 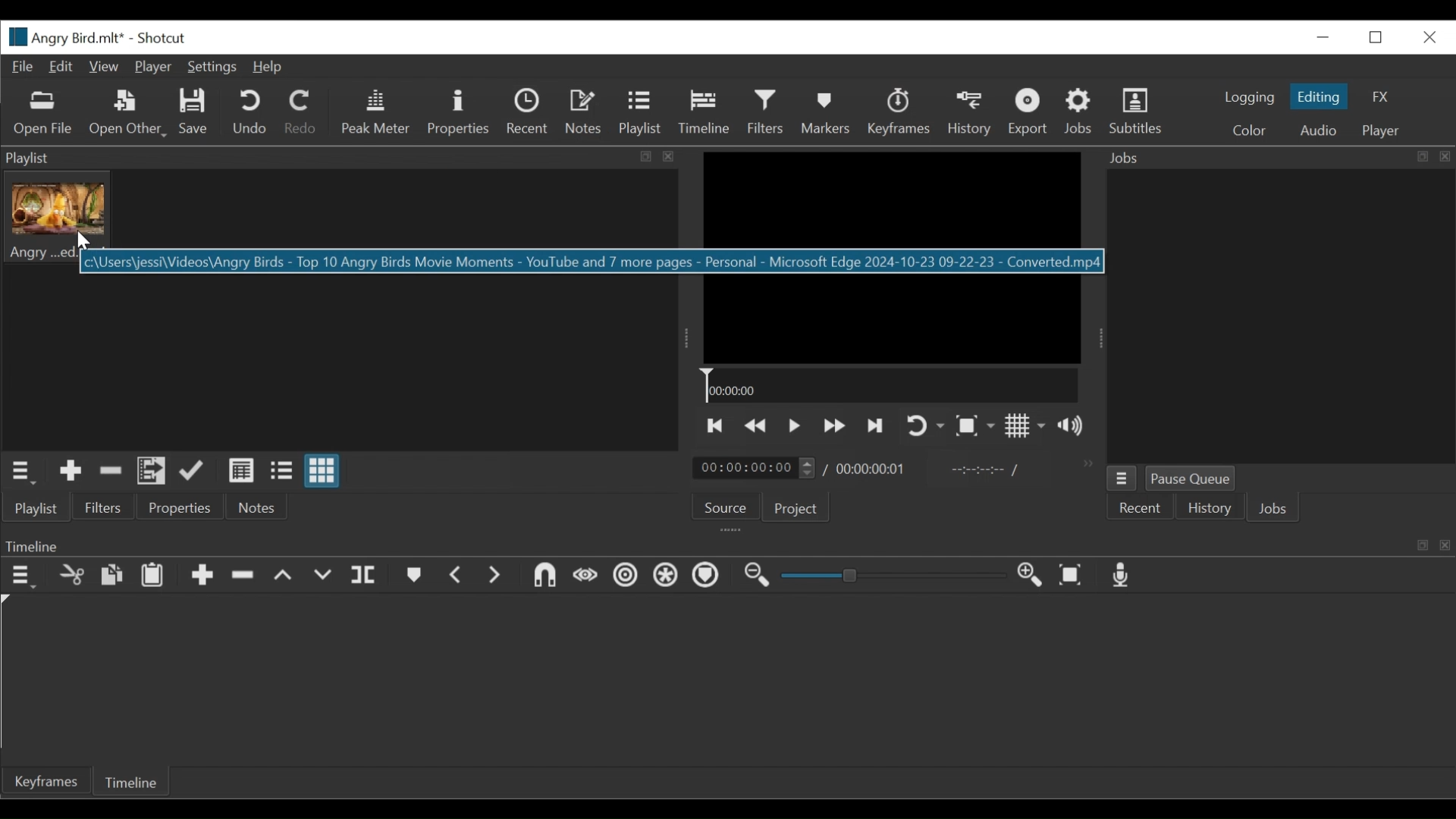 What do you see at coordinates (20, 575) in the screenshot?
I see `Timeline menu` at bounding box center [20, 575].